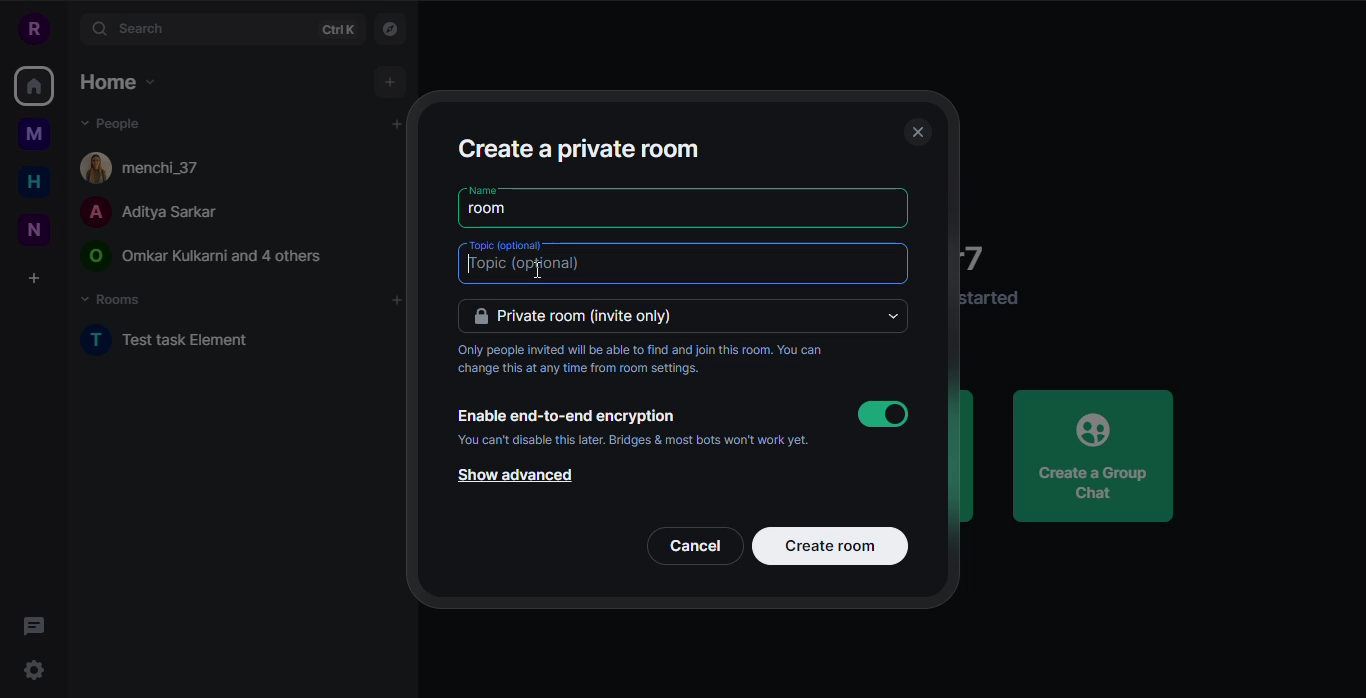 This screenshot has width=1366, height=698. I want to click on welcome, so click(983, 256).